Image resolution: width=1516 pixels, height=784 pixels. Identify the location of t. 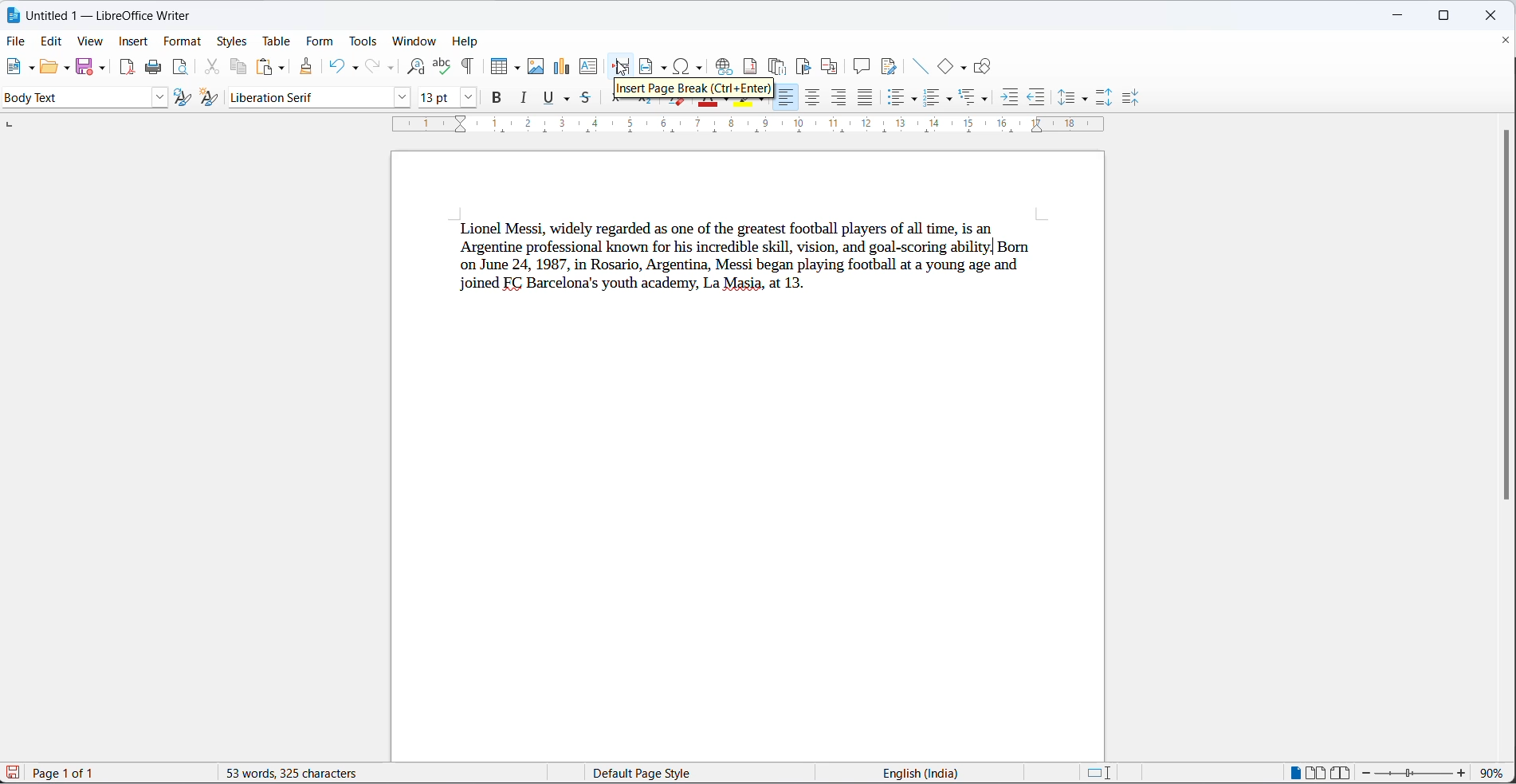
(786, 97).